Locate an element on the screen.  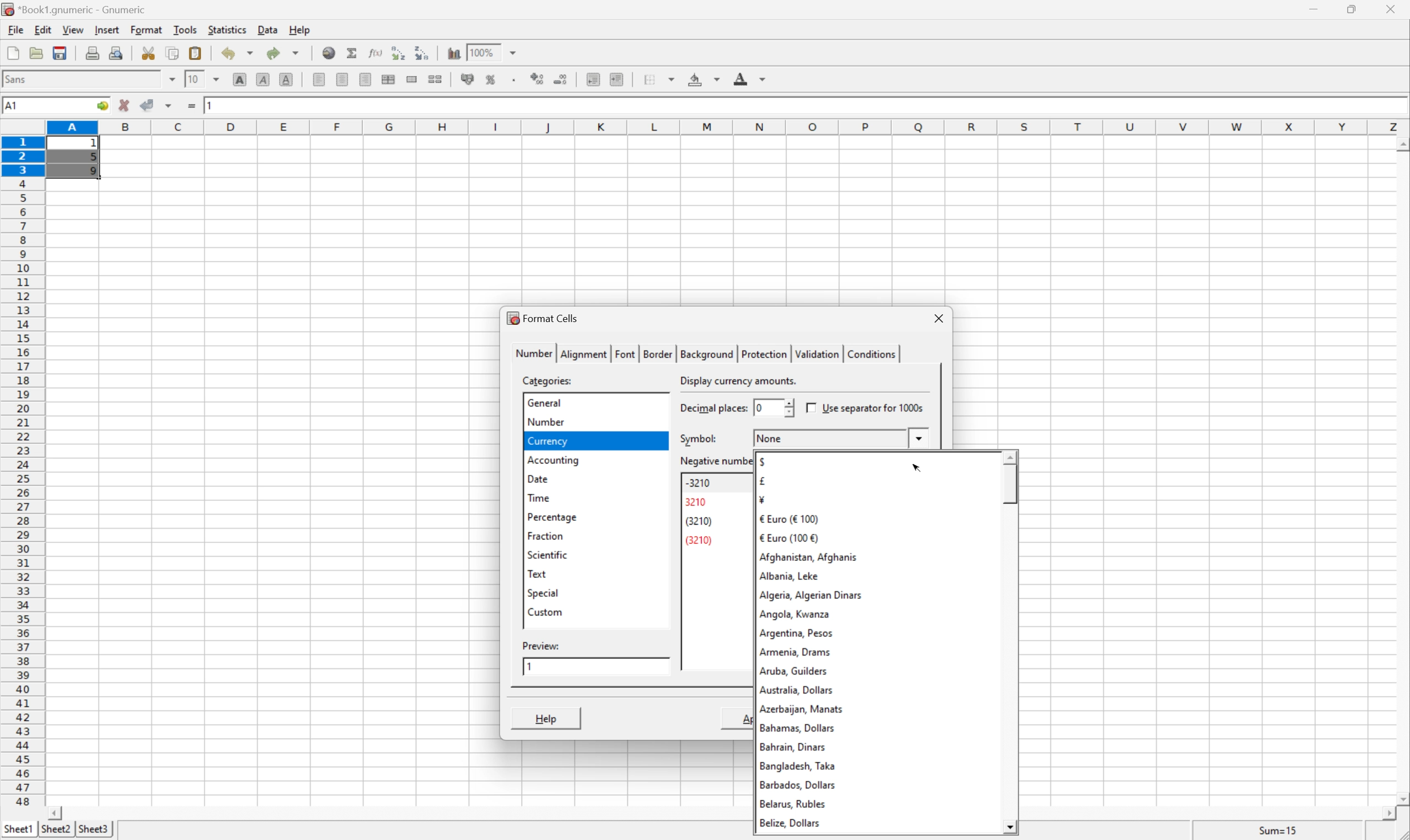
custom is located at coordinates (545, 611).